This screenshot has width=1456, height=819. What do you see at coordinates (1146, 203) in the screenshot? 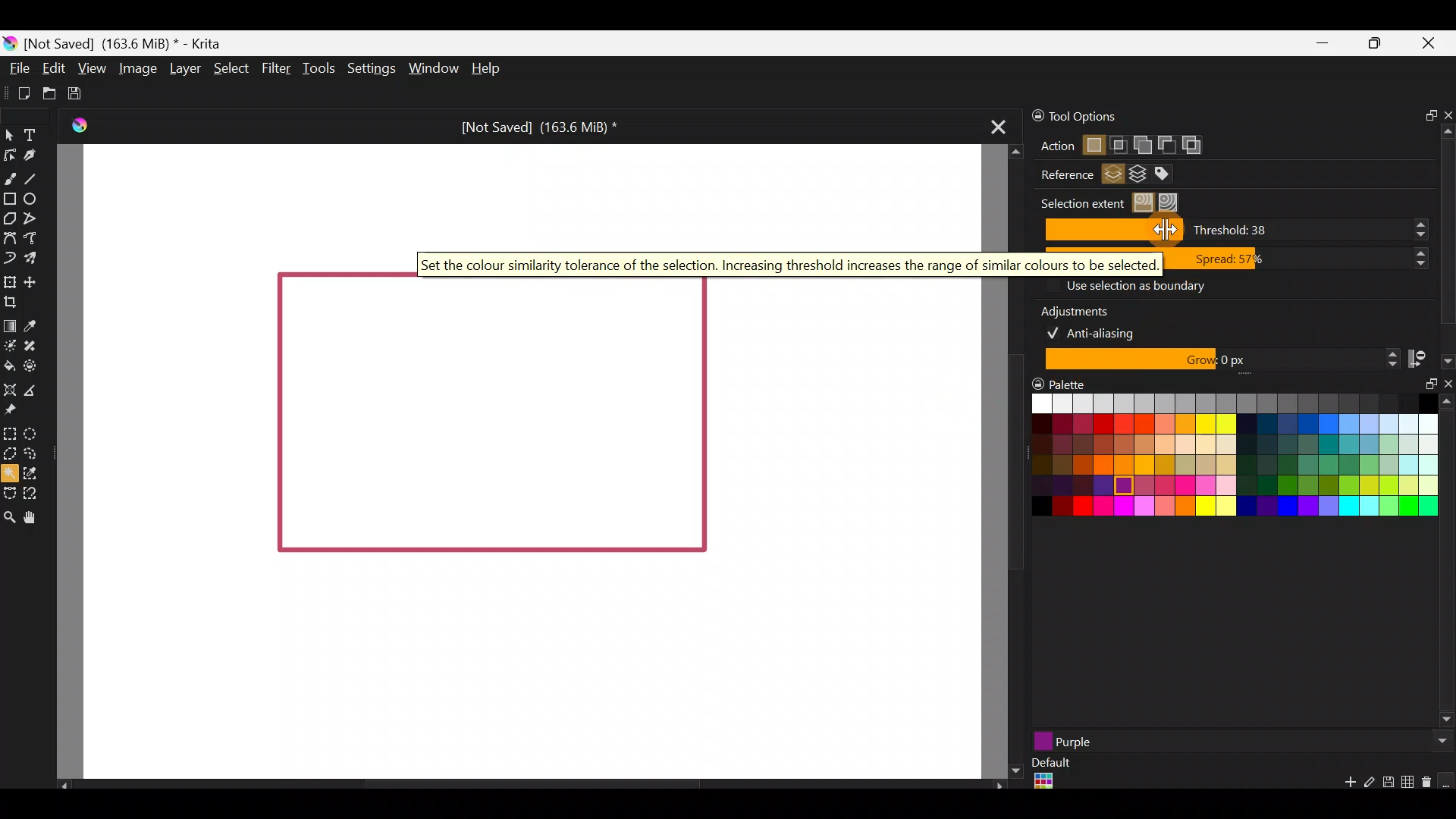
I see `Select regions similar in colour to the clicked region` at bounding box center [1146, 203].